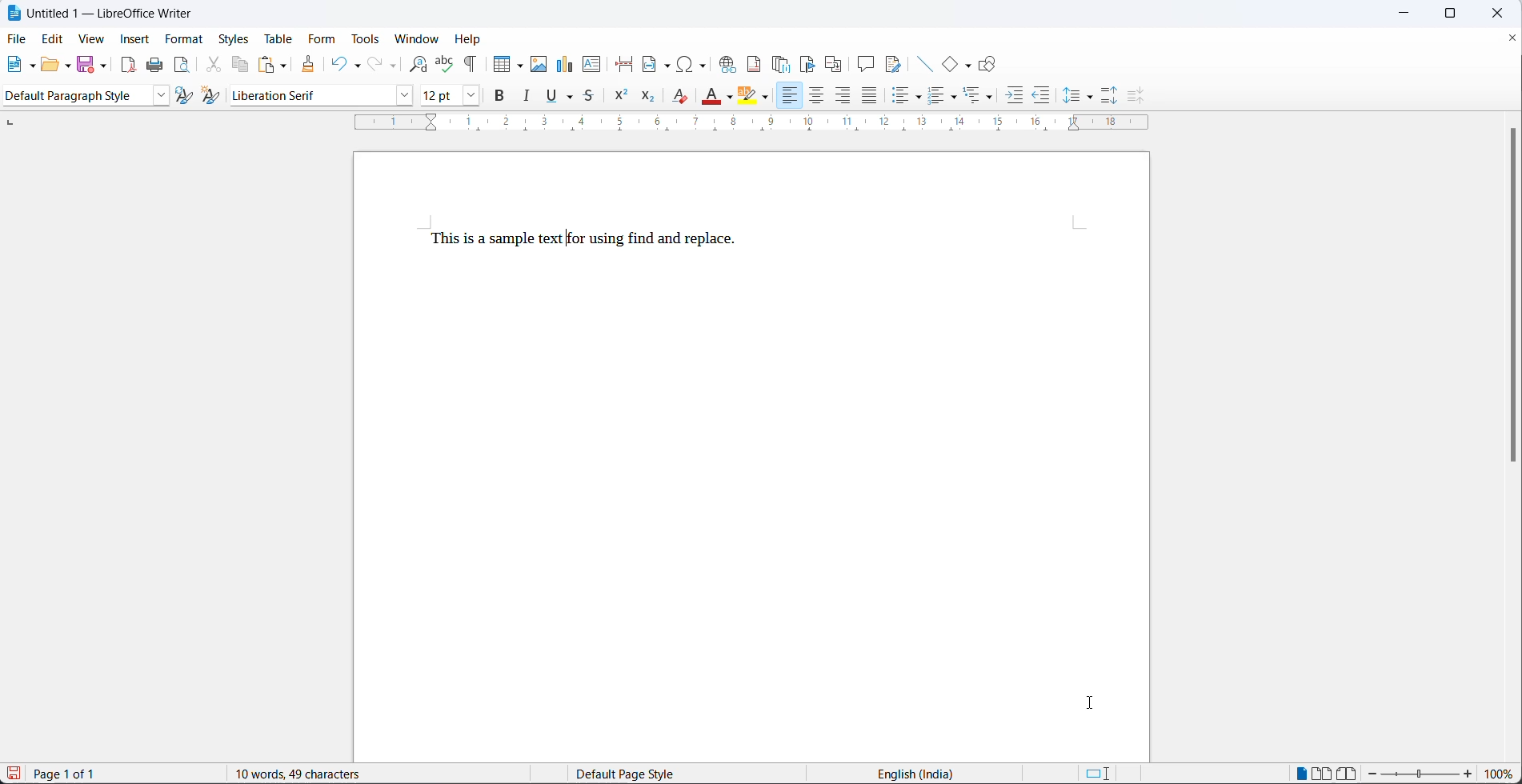 The width and height of the screenshot is (1522, 784). What do you see at coordinates (844, 98) in the screenshot?
I see `text align left` at bounding box center [844, 98].